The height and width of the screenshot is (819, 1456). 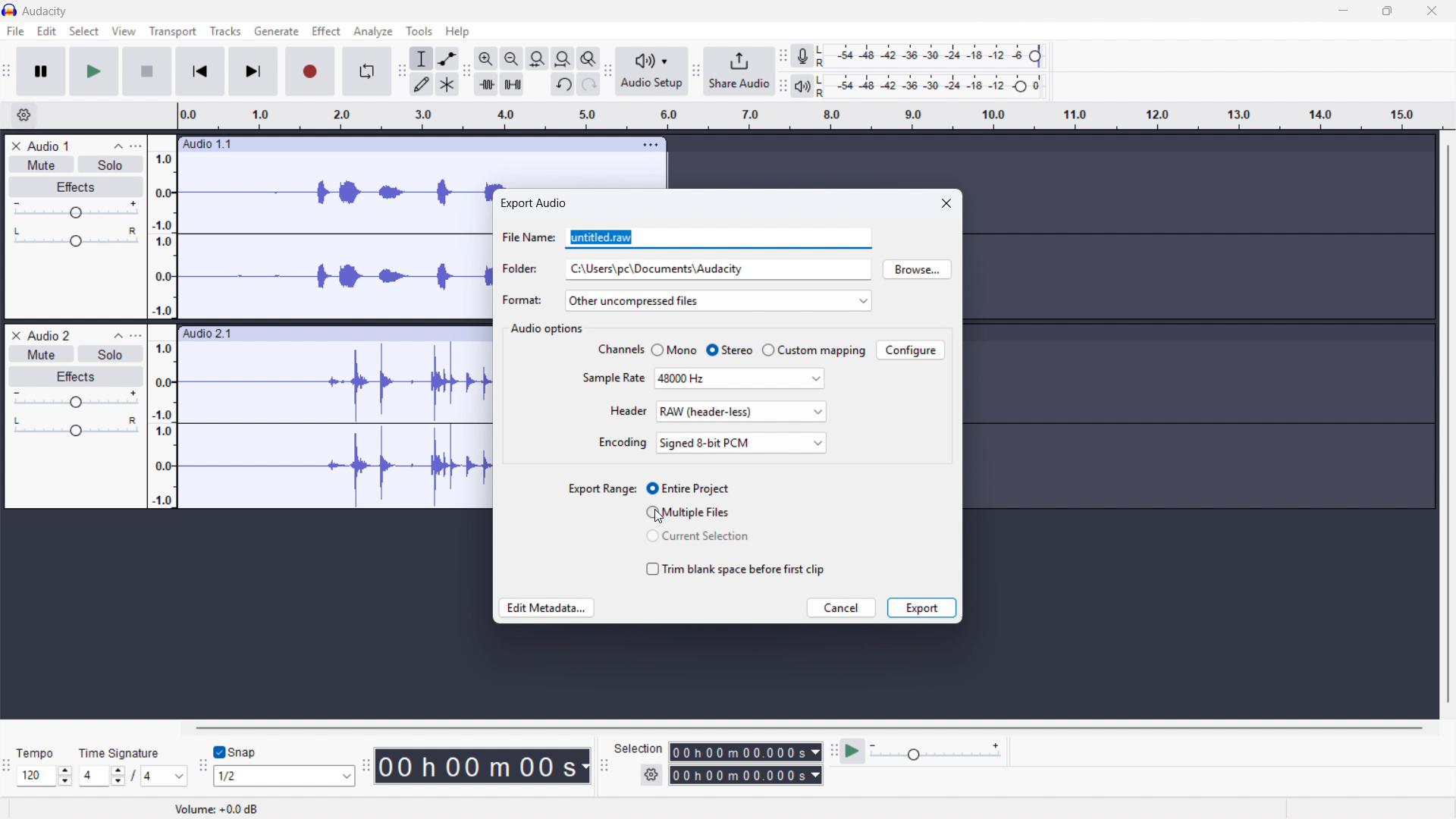 What do you see at coordinates (522, 300) in the screenshot?
I see `format` at bounding box center [522, 300].